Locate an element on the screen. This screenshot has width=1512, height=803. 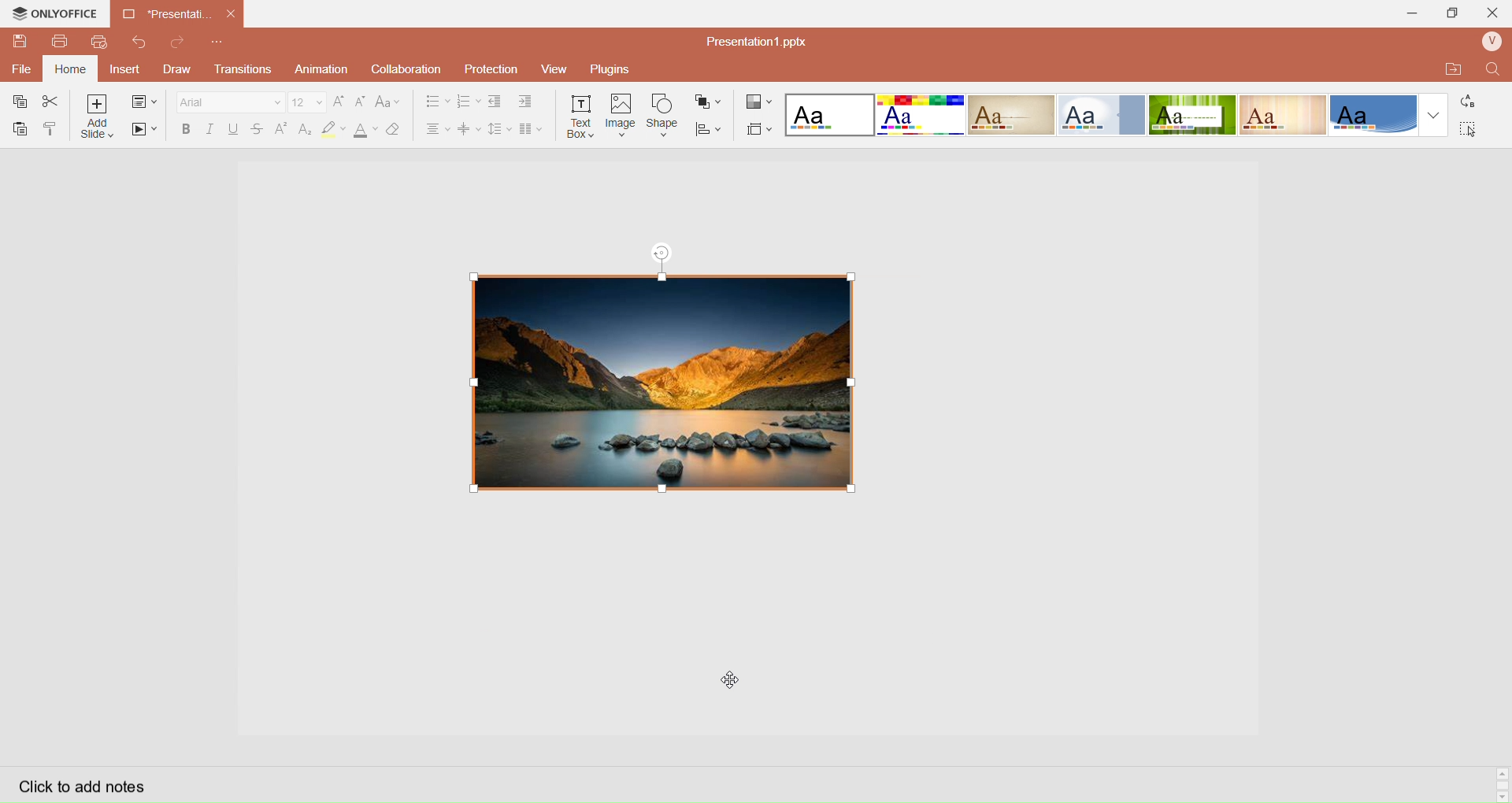
Subscript is located at coordinates (306, 130).